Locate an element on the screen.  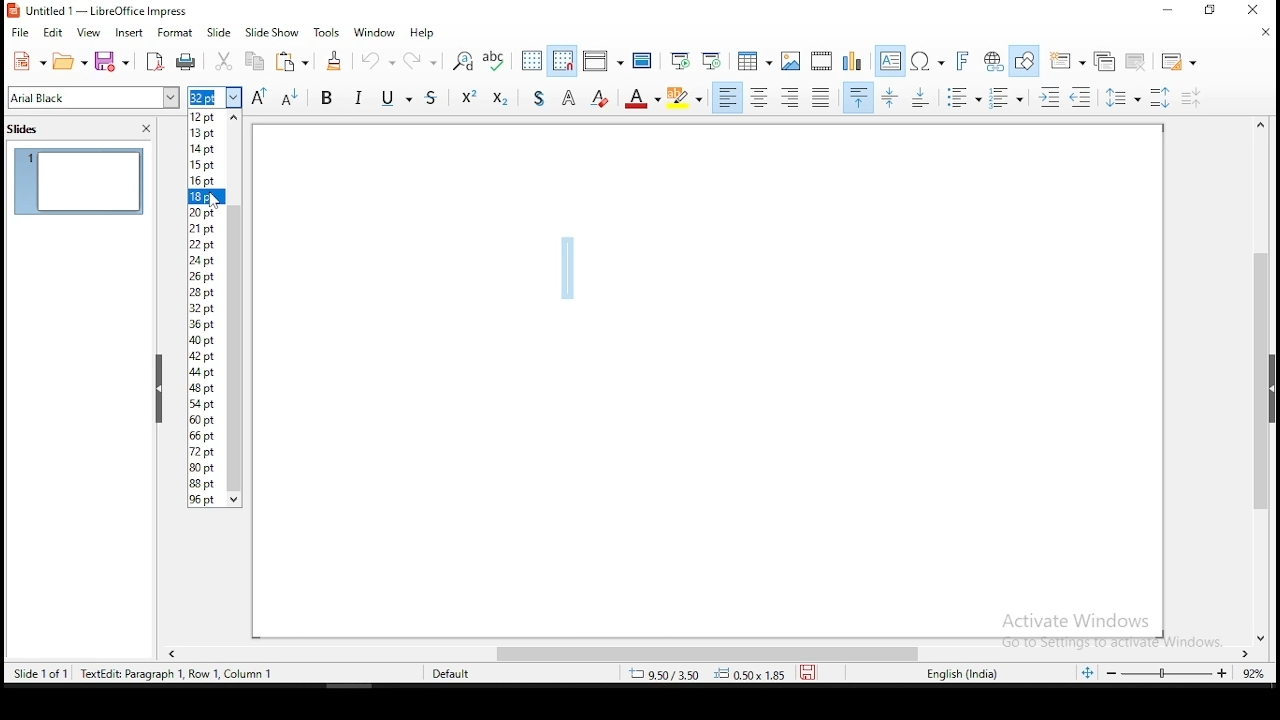
Left Align is located at coordinates (727, 97).